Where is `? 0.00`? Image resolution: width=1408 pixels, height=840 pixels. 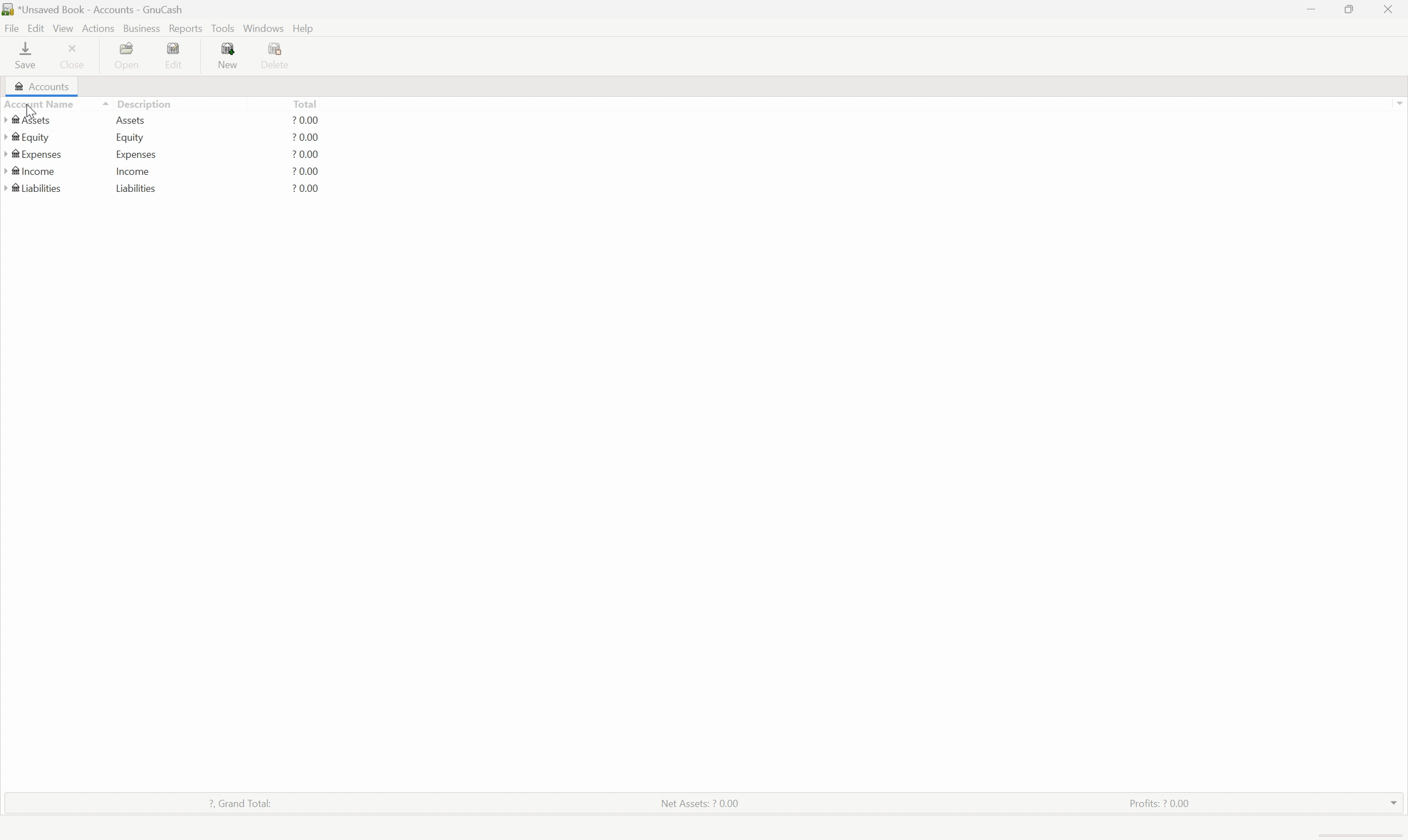
? 0.00 is located at coordinates (306, 188).